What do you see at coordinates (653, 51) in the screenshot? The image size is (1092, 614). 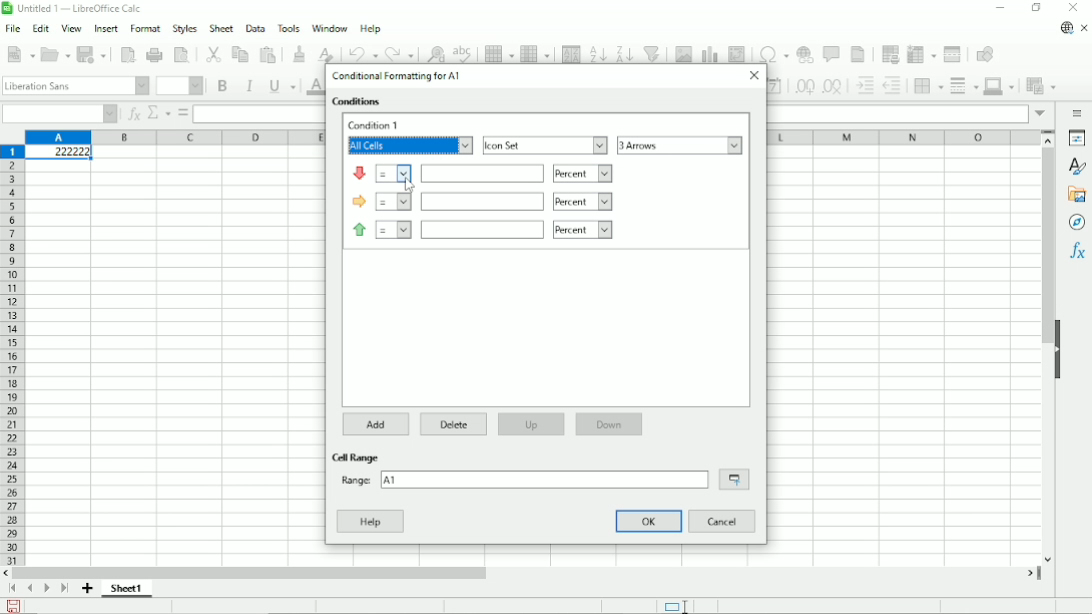 I see `Auto filter` at bounding box center [653, 51].